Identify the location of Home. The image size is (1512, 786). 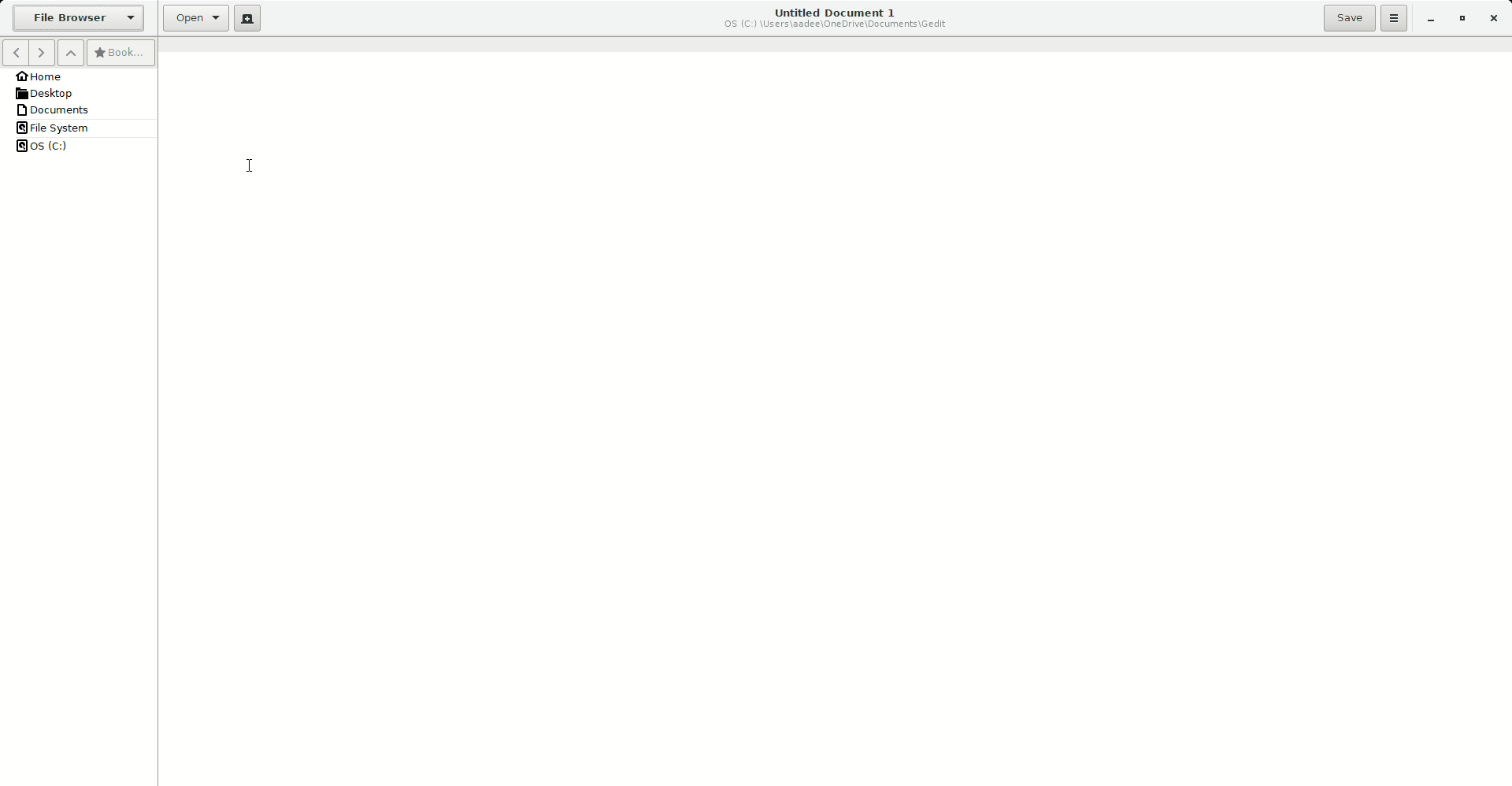
(46, 76).